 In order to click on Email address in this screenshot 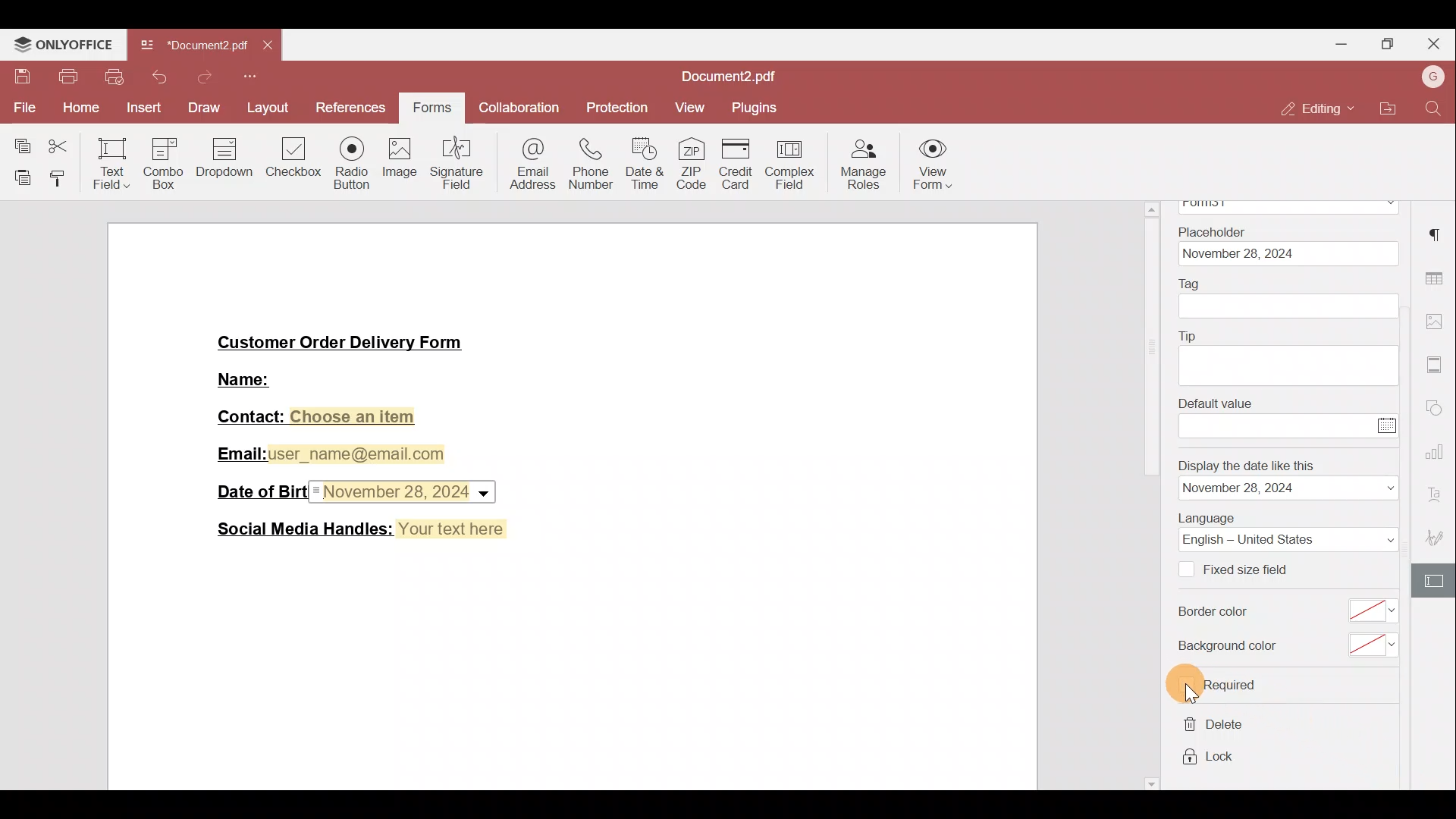, I will do `click(531, 162)`.